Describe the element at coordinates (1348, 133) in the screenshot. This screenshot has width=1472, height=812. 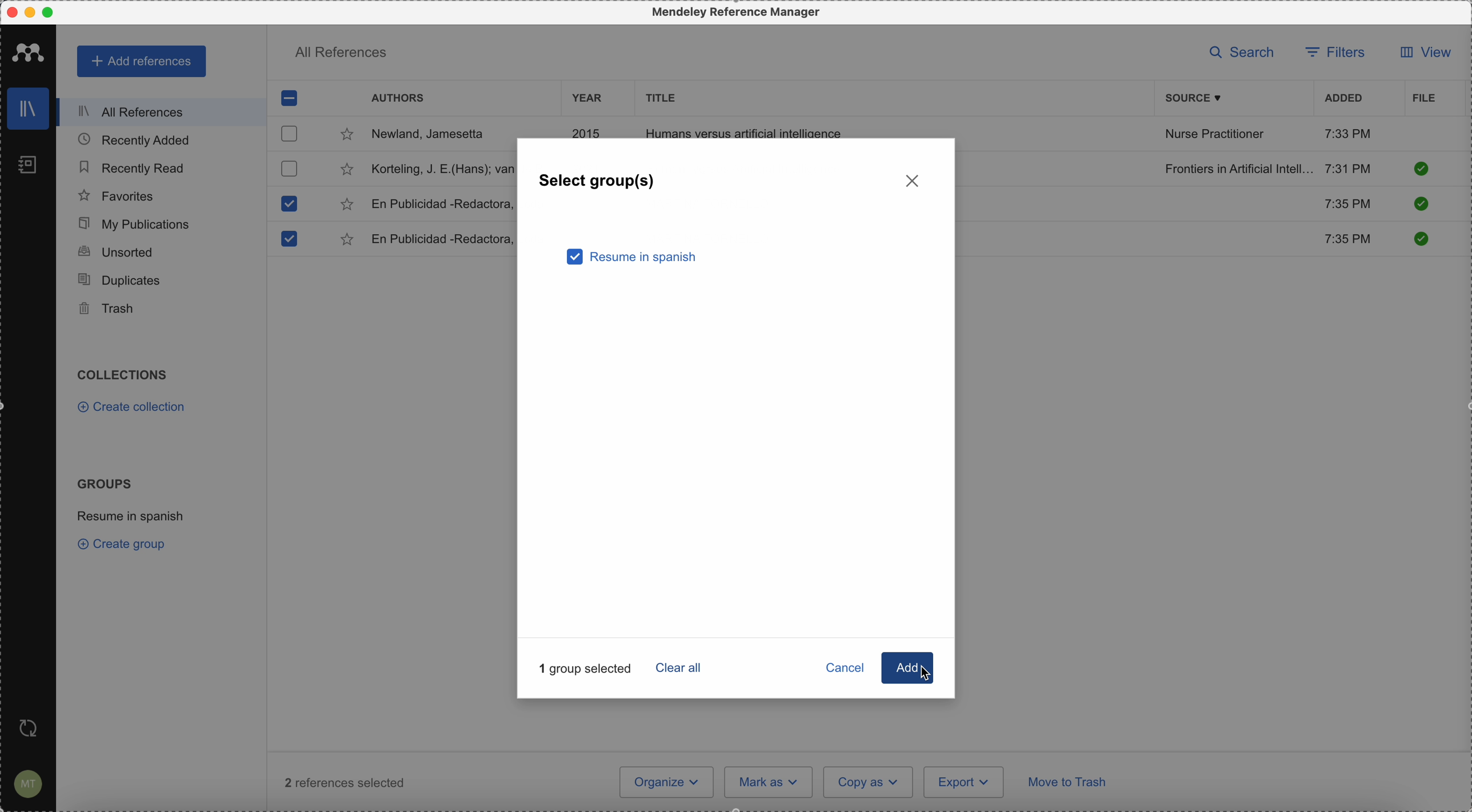
I see `7:33 PM` at that location.